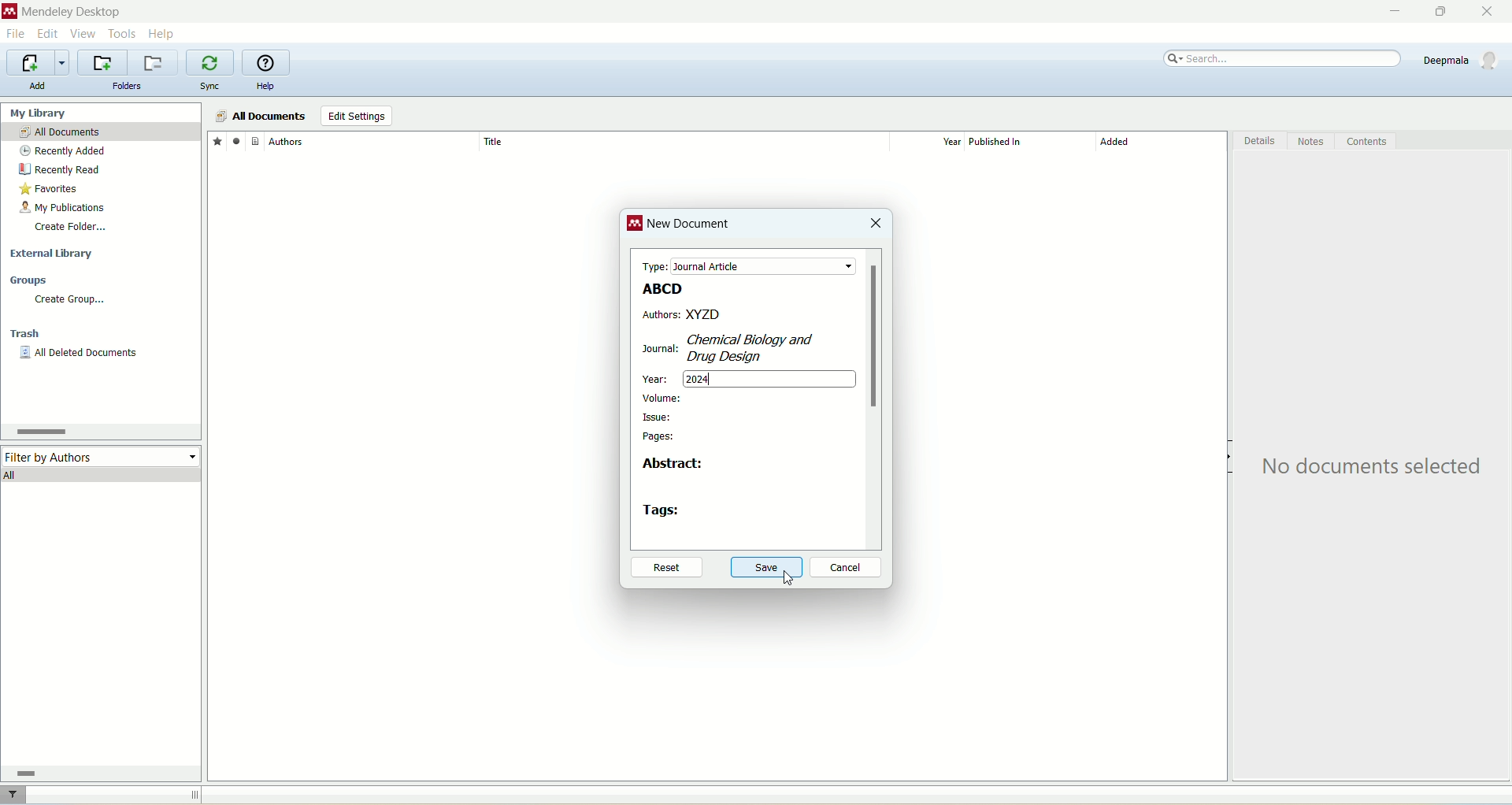 The image size is (1512, 805). I want to click on issue, so click(658, 417).